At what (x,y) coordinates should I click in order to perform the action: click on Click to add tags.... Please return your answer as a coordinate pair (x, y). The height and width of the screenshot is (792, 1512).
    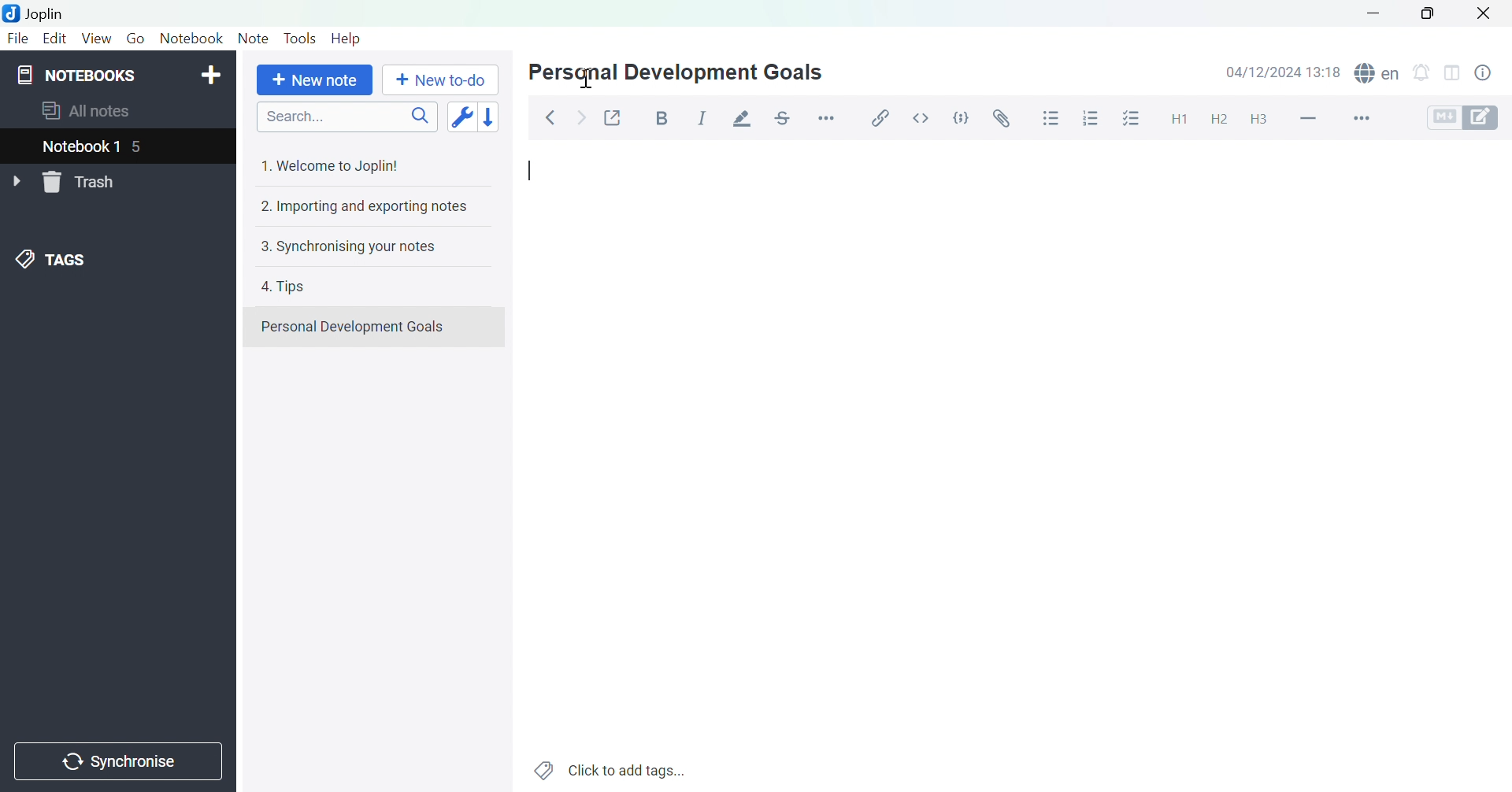
    Looking at the image, I should click on (610, 769).